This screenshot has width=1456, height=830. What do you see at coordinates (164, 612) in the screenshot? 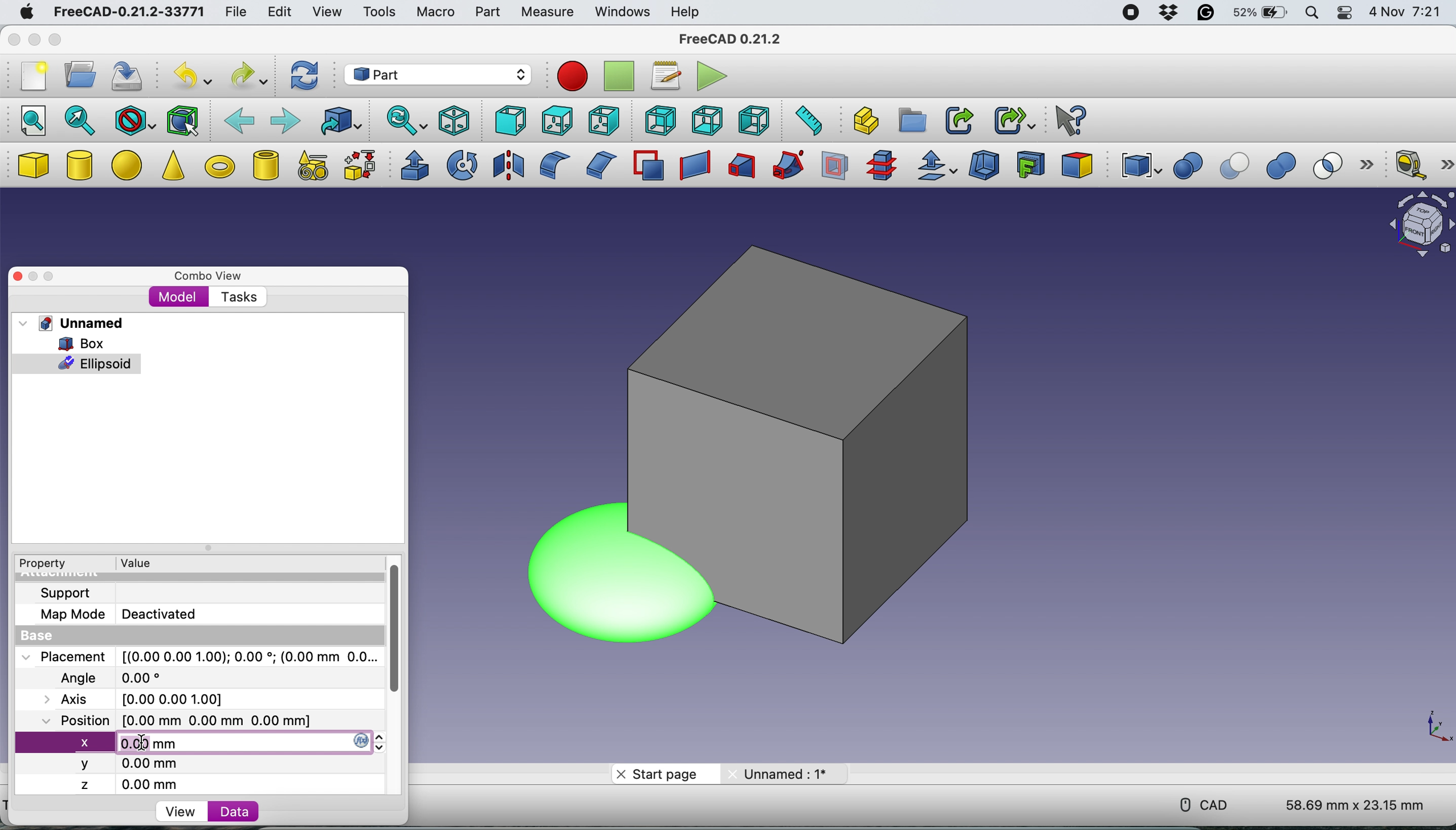
I see `Deactivated` at bounding box center [164, 612].